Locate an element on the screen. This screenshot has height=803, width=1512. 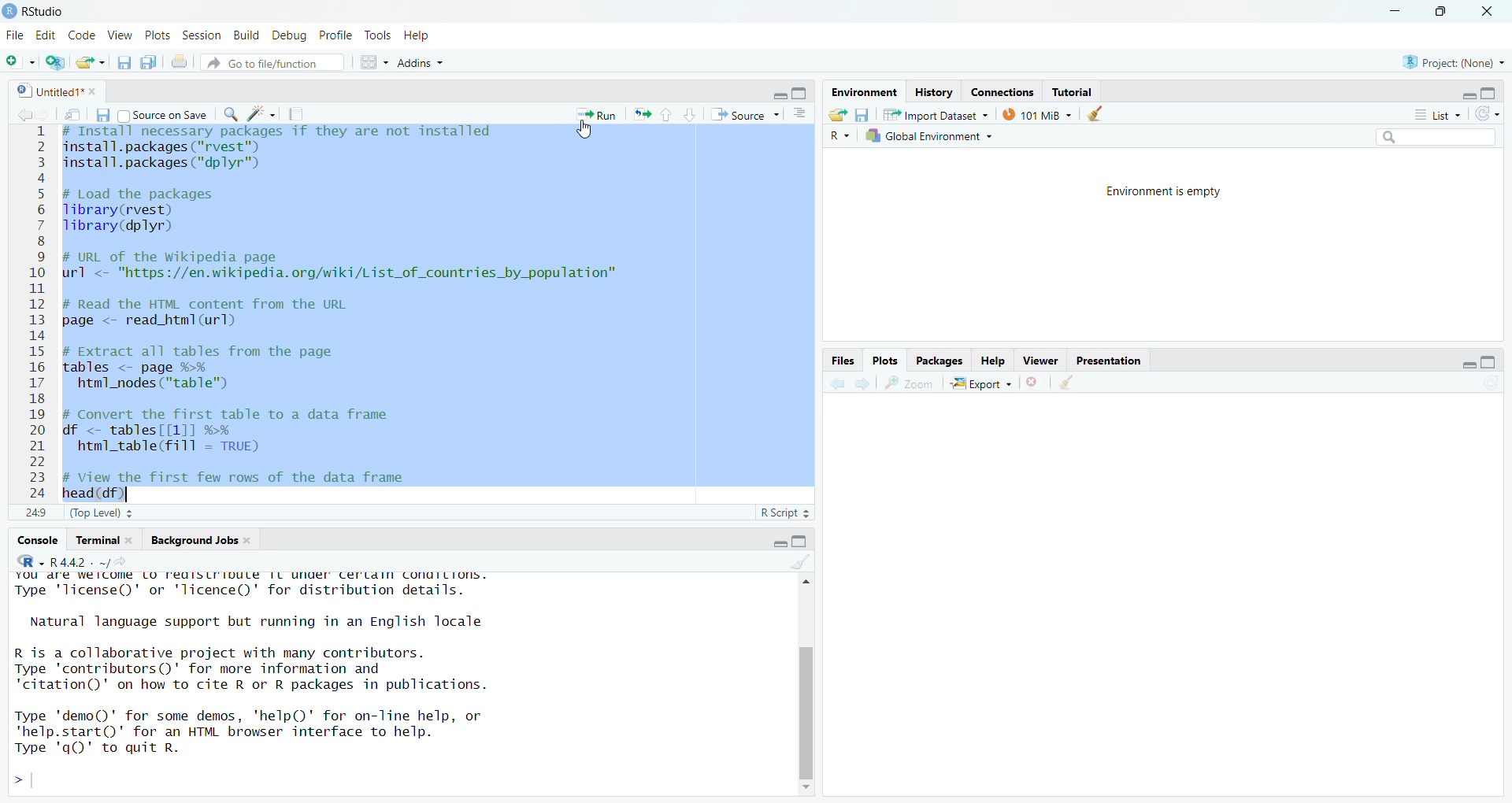
101 MiB is located at coordinates (1035, 113).